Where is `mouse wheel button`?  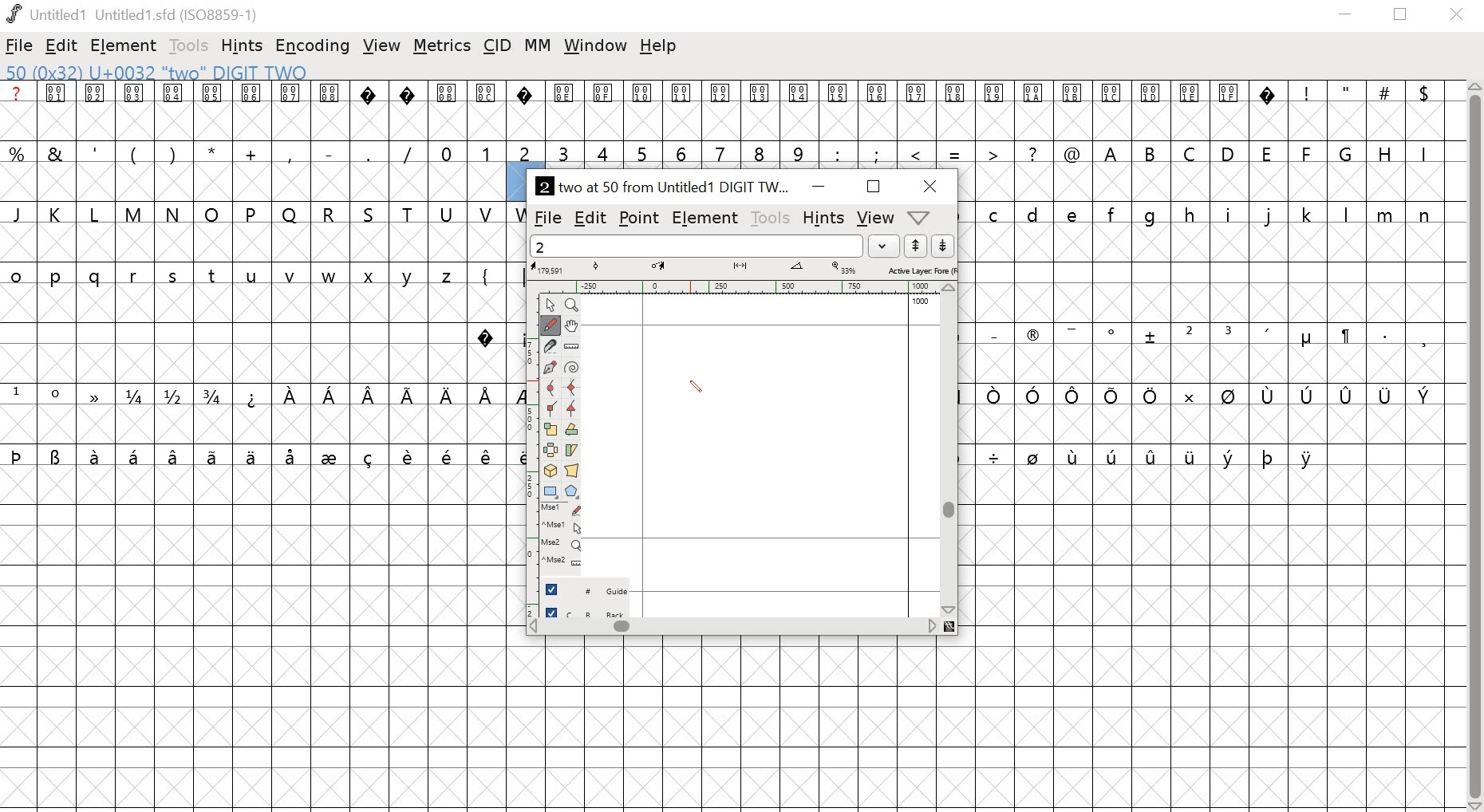
mouse wheel button is located at coordinates (563, 546).